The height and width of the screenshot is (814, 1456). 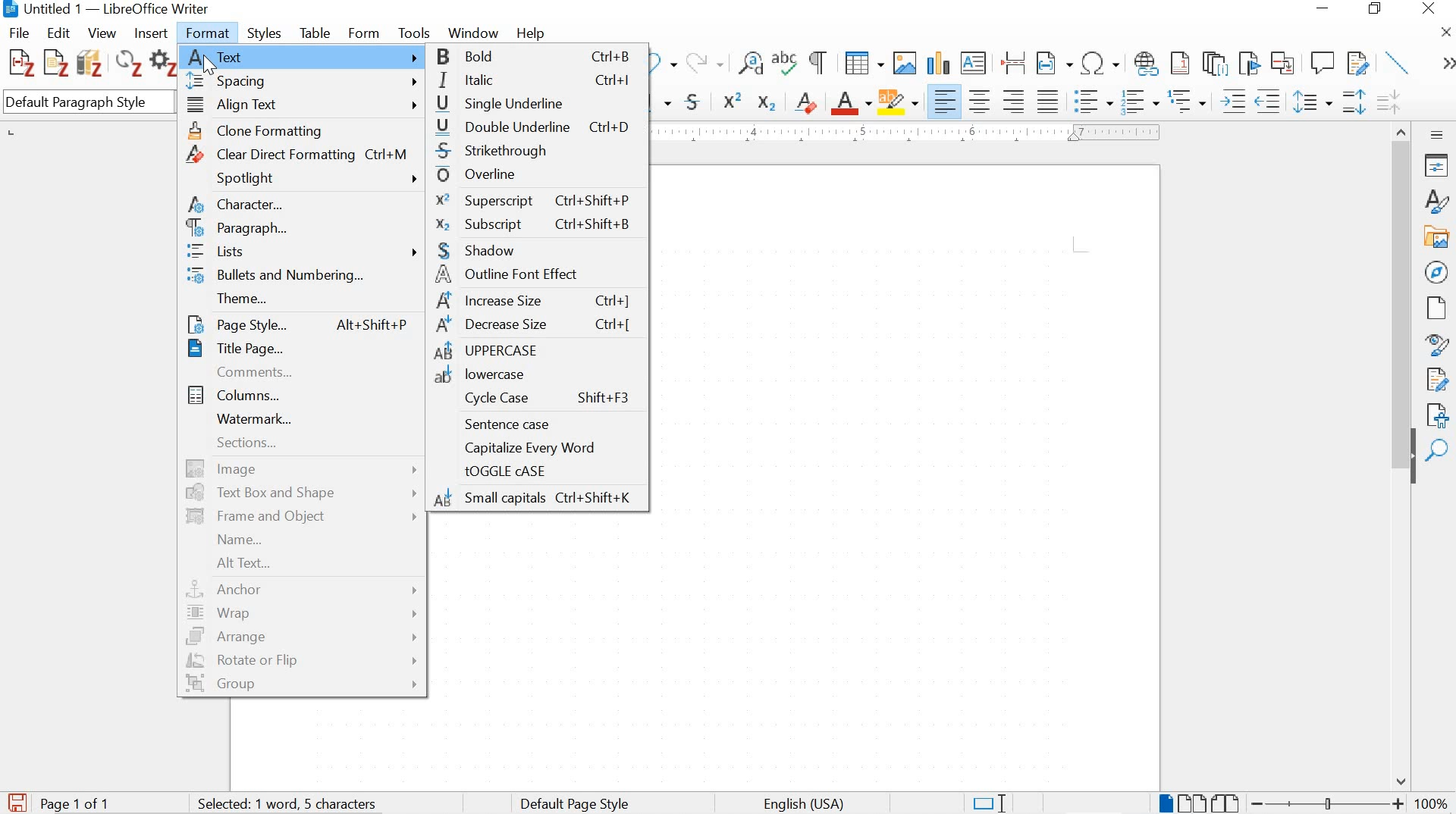 What do you see at coordinates (1323, 63) in the screenshot?
I see `insert comment` at bounding box center [1323, 63].